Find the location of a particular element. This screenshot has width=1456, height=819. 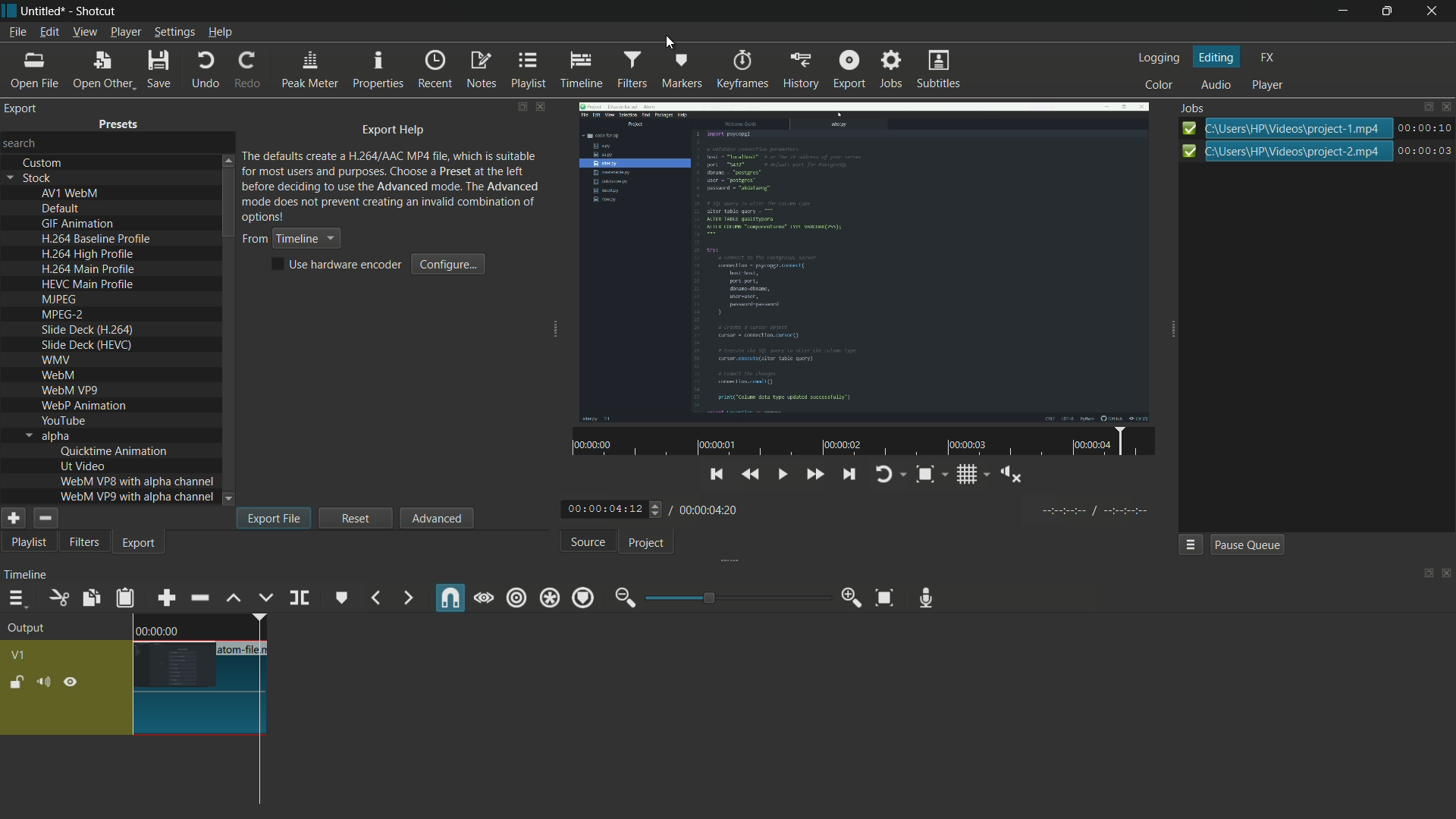

time is located at coordinates (1012, 477).